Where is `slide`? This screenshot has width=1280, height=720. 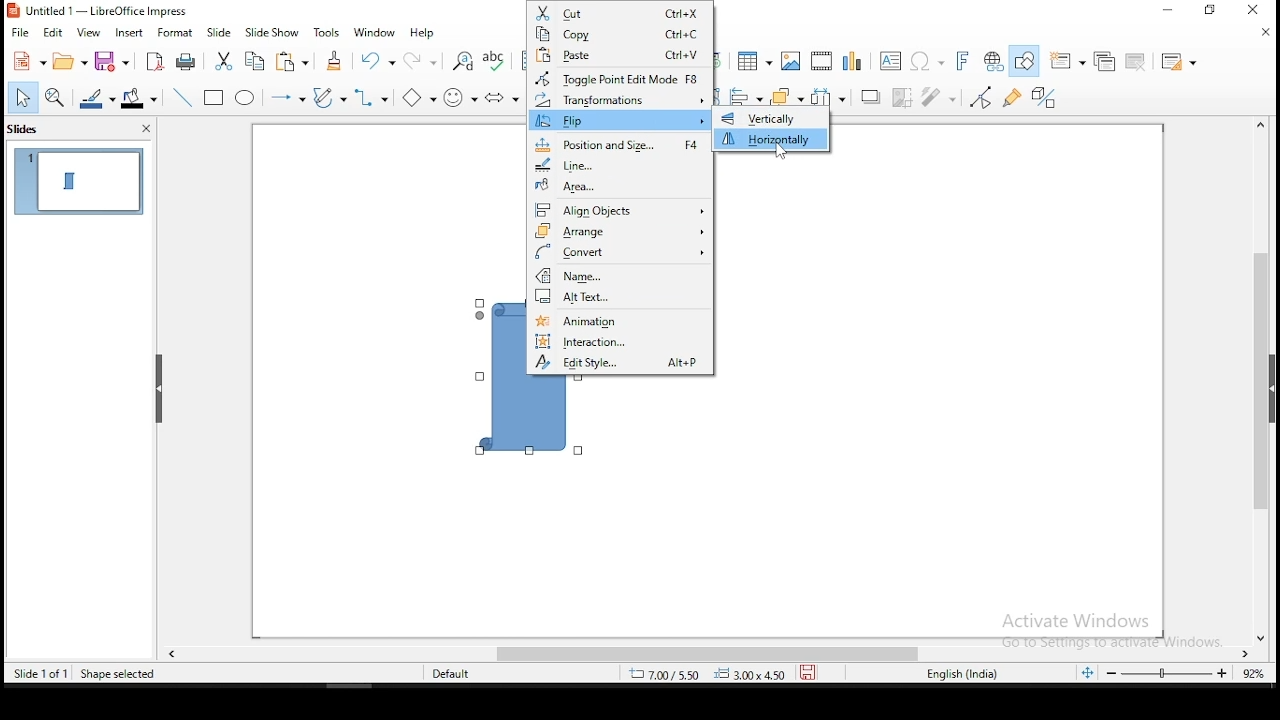 slide is located at coordinates (217, 33).